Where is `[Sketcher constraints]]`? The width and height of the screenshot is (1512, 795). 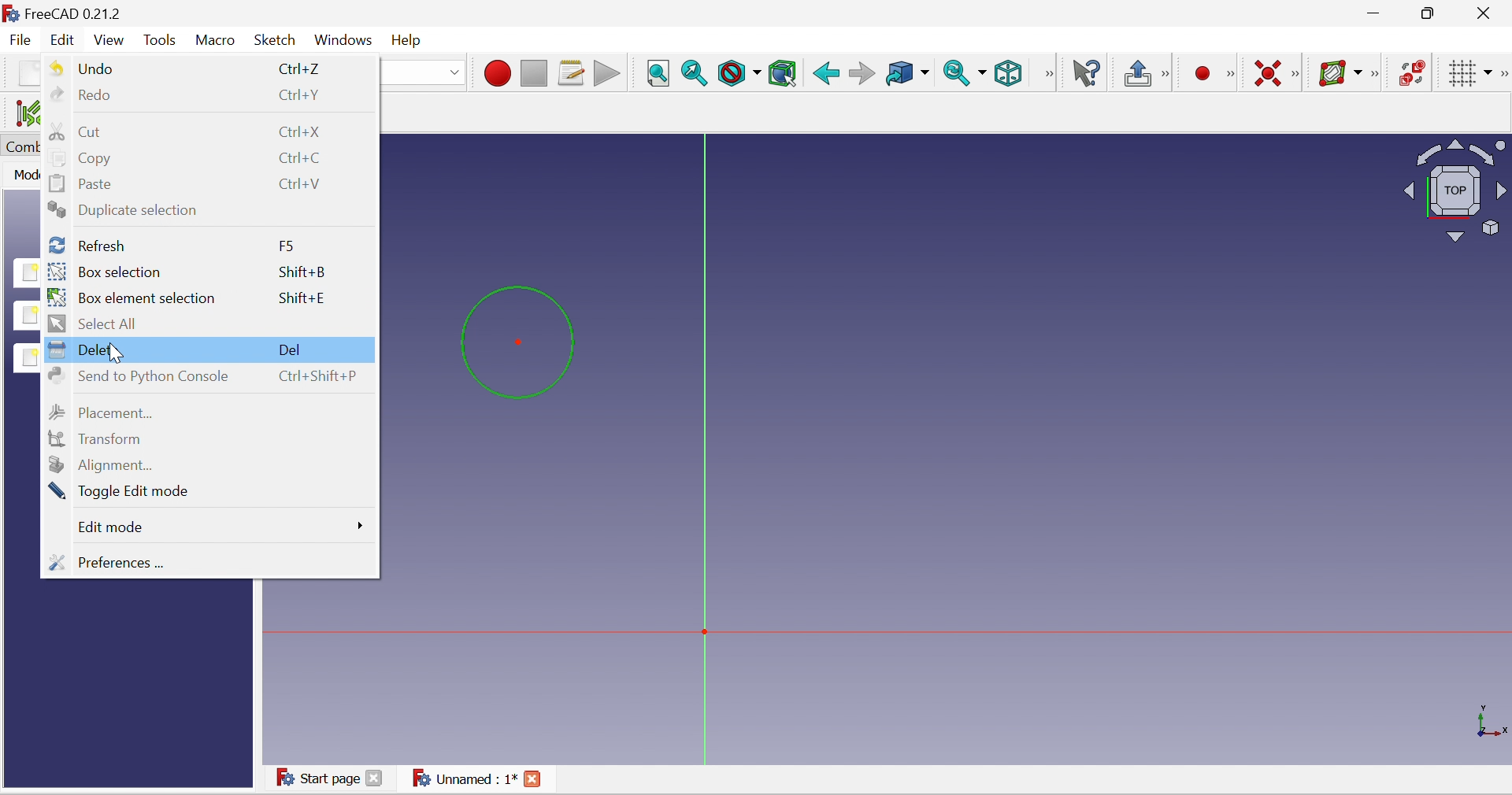 [Sketcher constraints]] is located at coordinates (1298, 76).